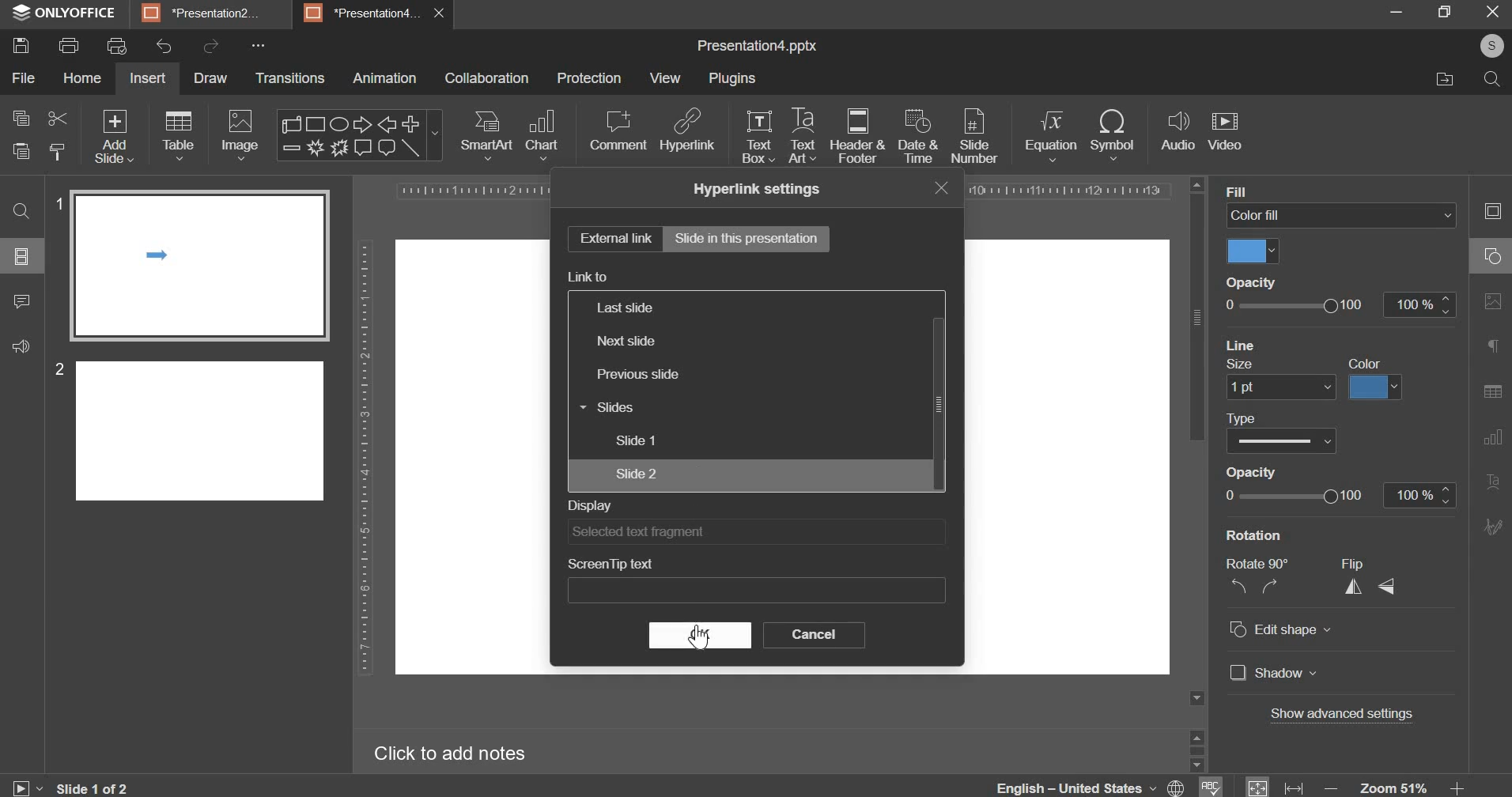 The image size is (1512, 797). Describe the element at coordinates (974, 138) in the screenshot. I see `slide number` at that location.